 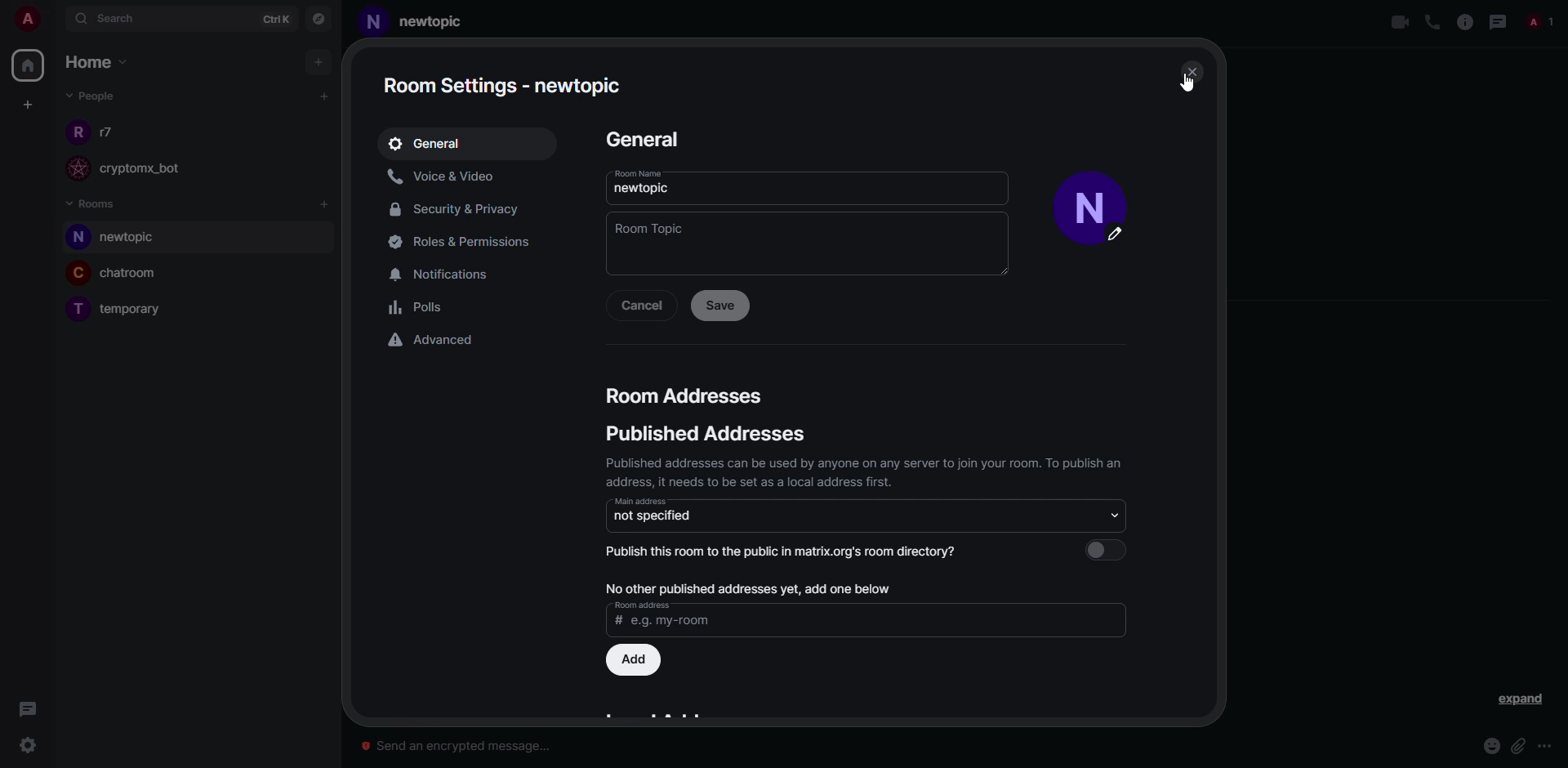 I want to click on bot, so click(x=156, y=170).